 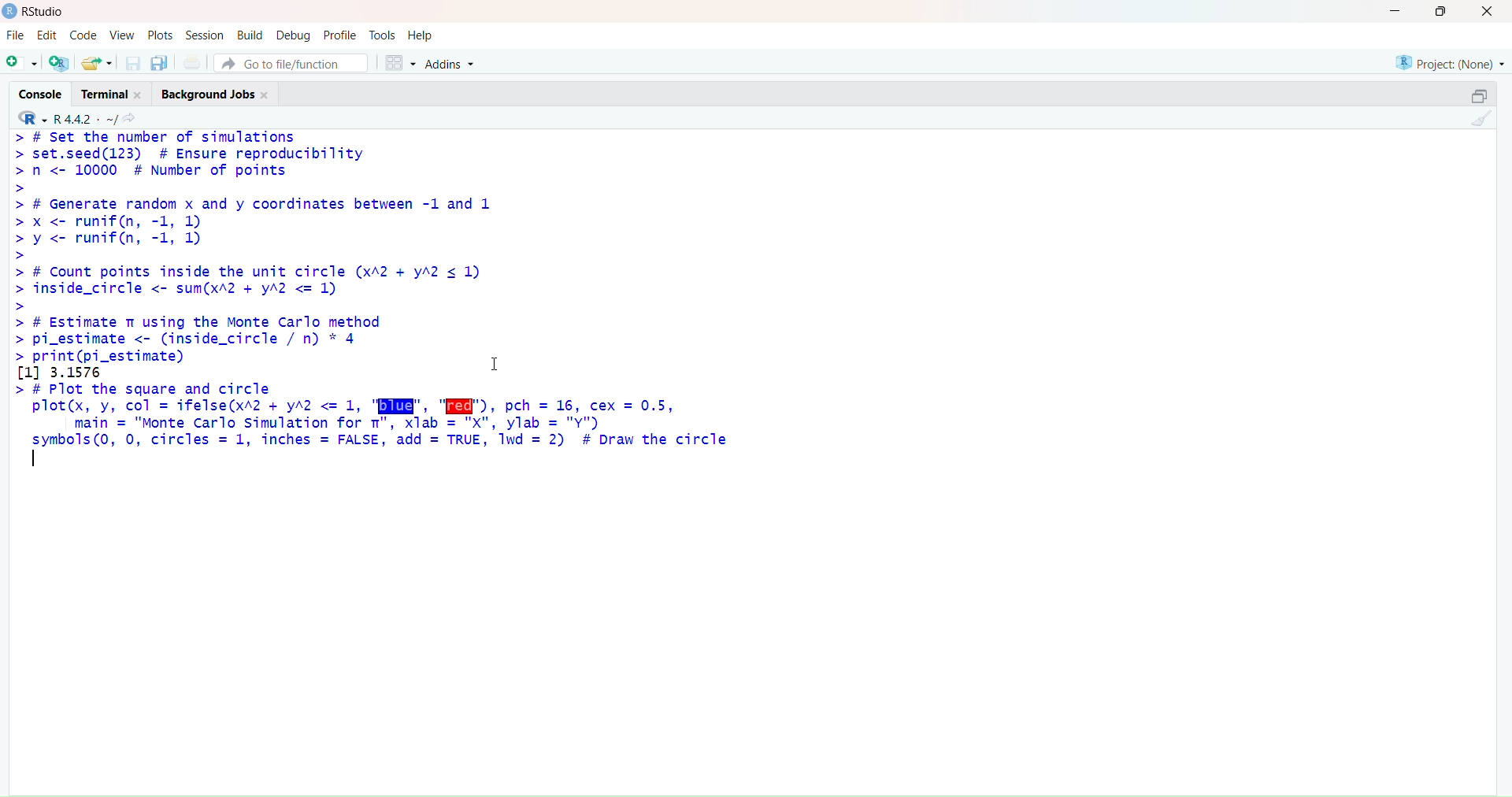 What do you see at coordinates (135, 117) in the screenshot?
I see `View the current working directory` at bounding box center [135, 117].